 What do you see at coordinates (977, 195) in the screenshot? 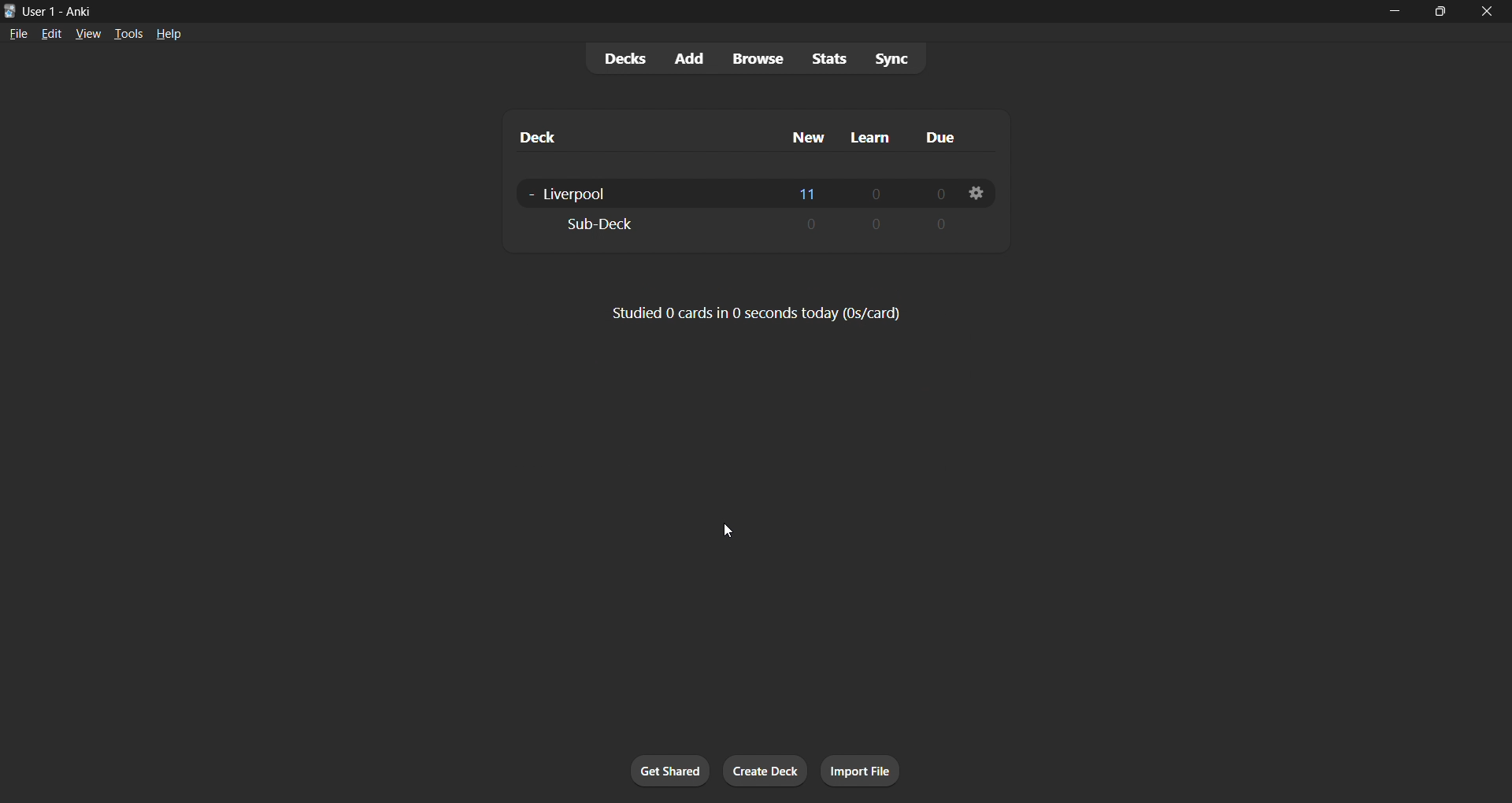
I see `deck options` at bounding box center [977, 195].